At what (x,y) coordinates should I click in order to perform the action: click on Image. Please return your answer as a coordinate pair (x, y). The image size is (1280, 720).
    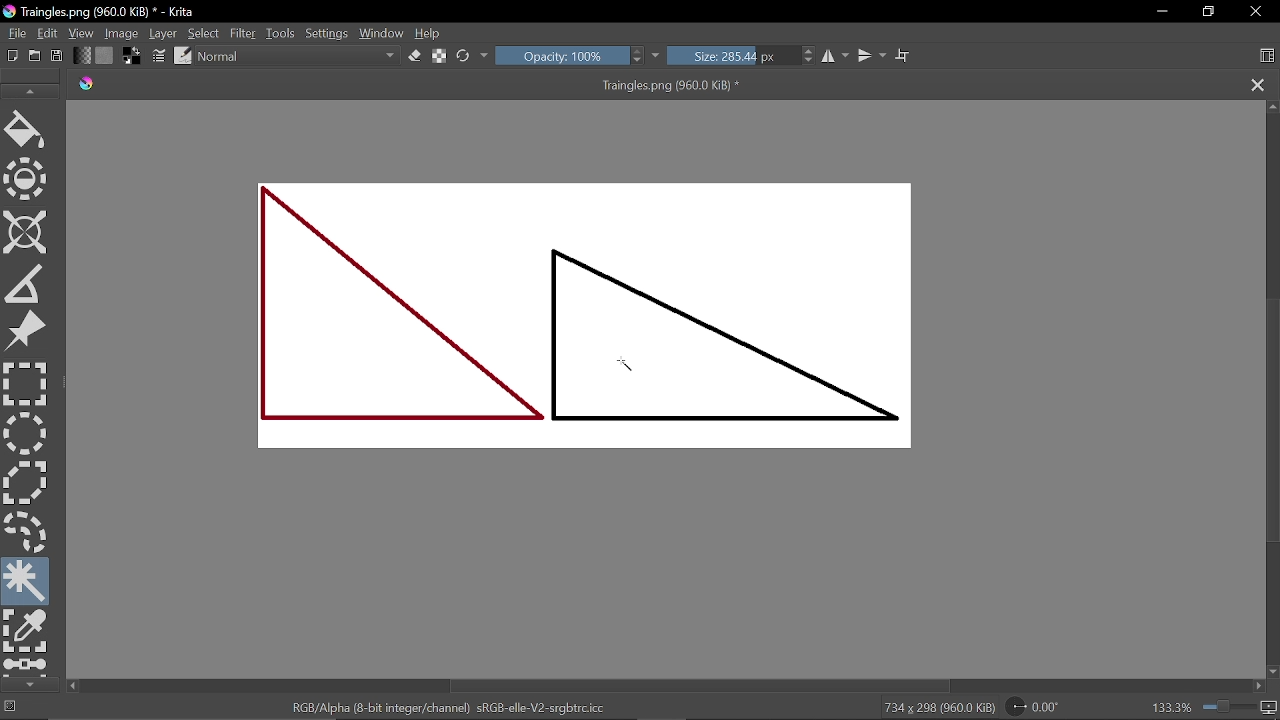
    Looking at the image, I should click on (122, 32).